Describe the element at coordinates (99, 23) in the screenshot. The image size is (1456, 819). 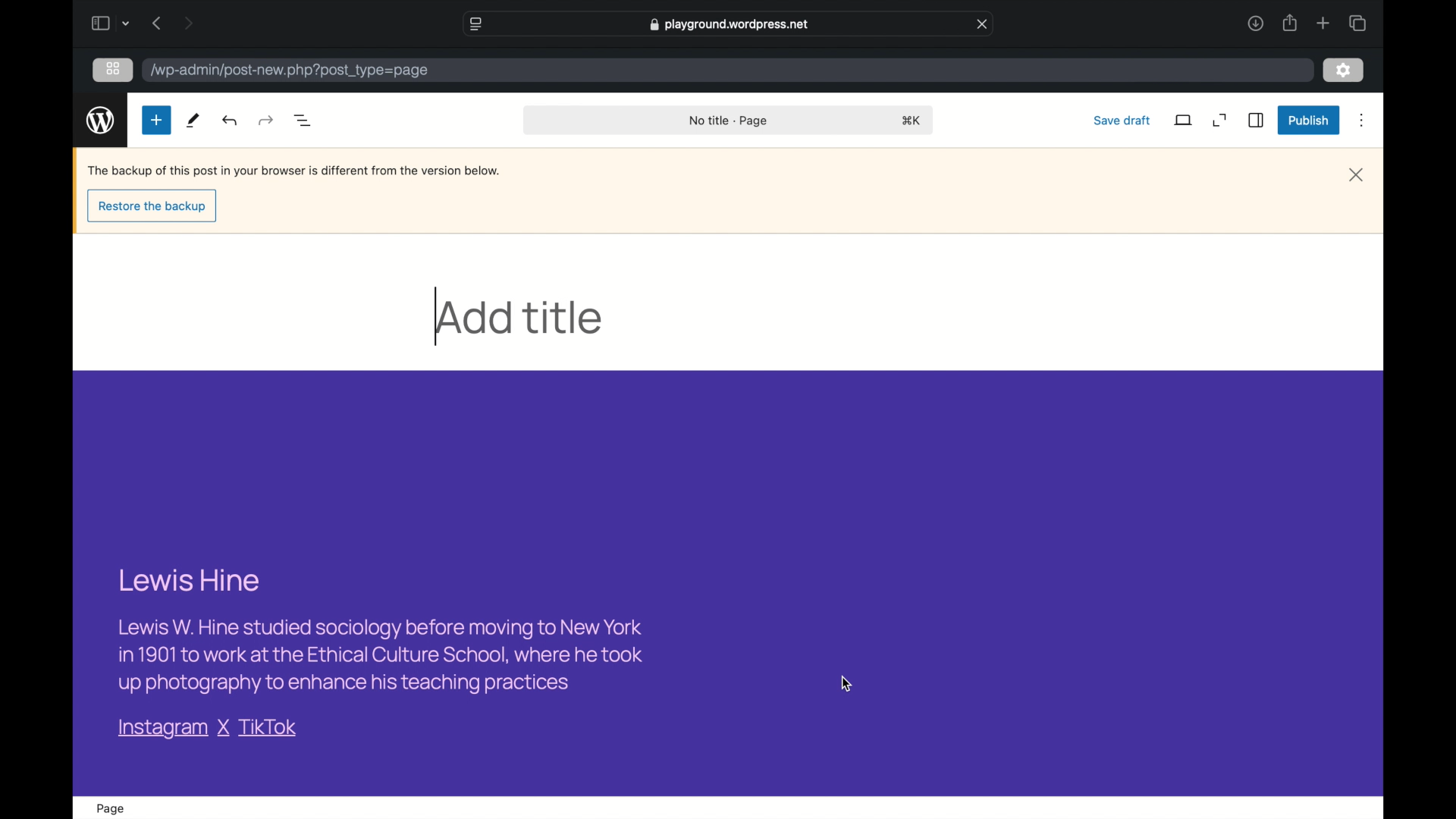
I see `sidebar` at that location.